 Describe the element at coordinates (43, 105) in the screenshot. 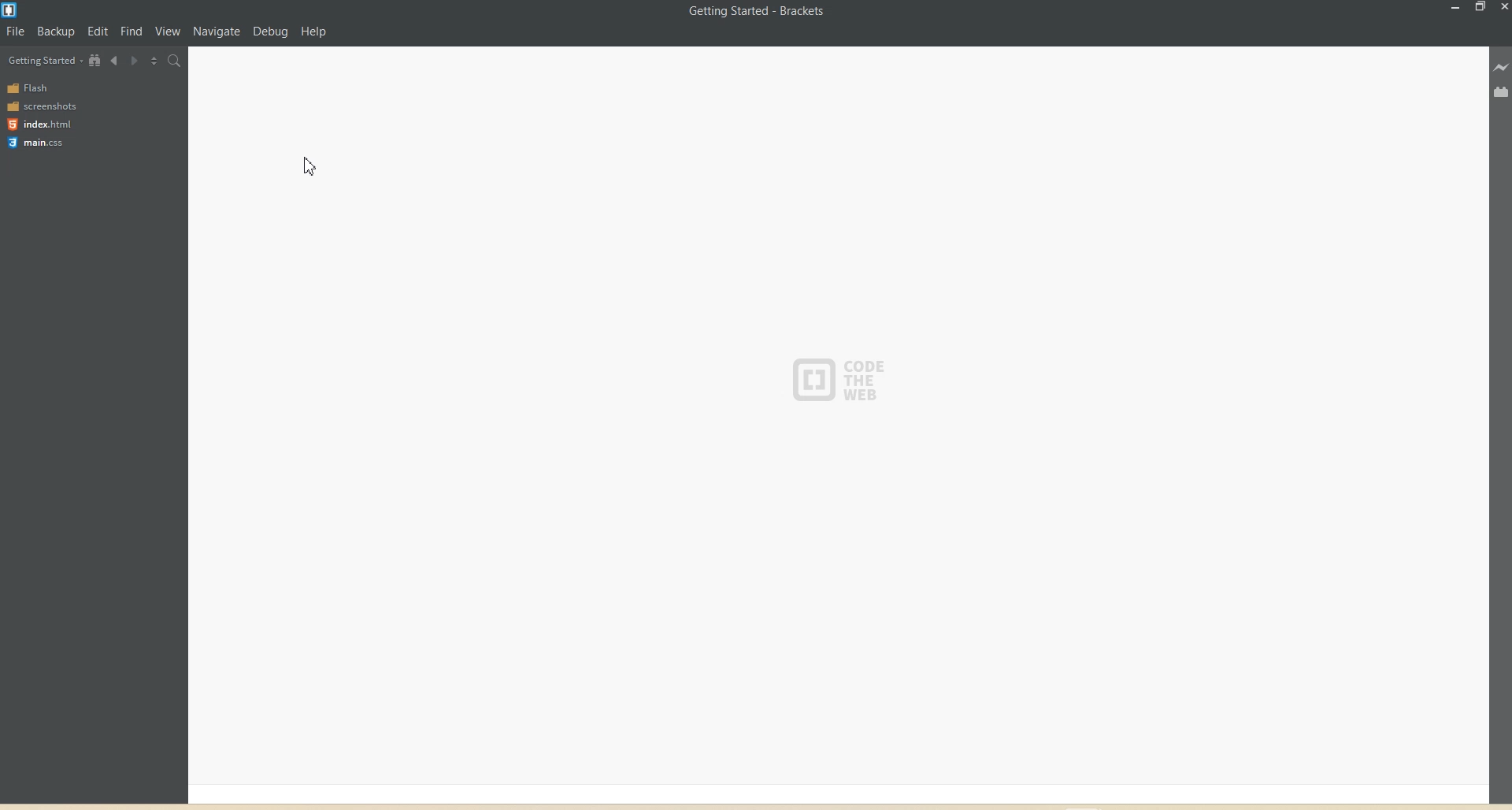

I see `screenshots` at that location.